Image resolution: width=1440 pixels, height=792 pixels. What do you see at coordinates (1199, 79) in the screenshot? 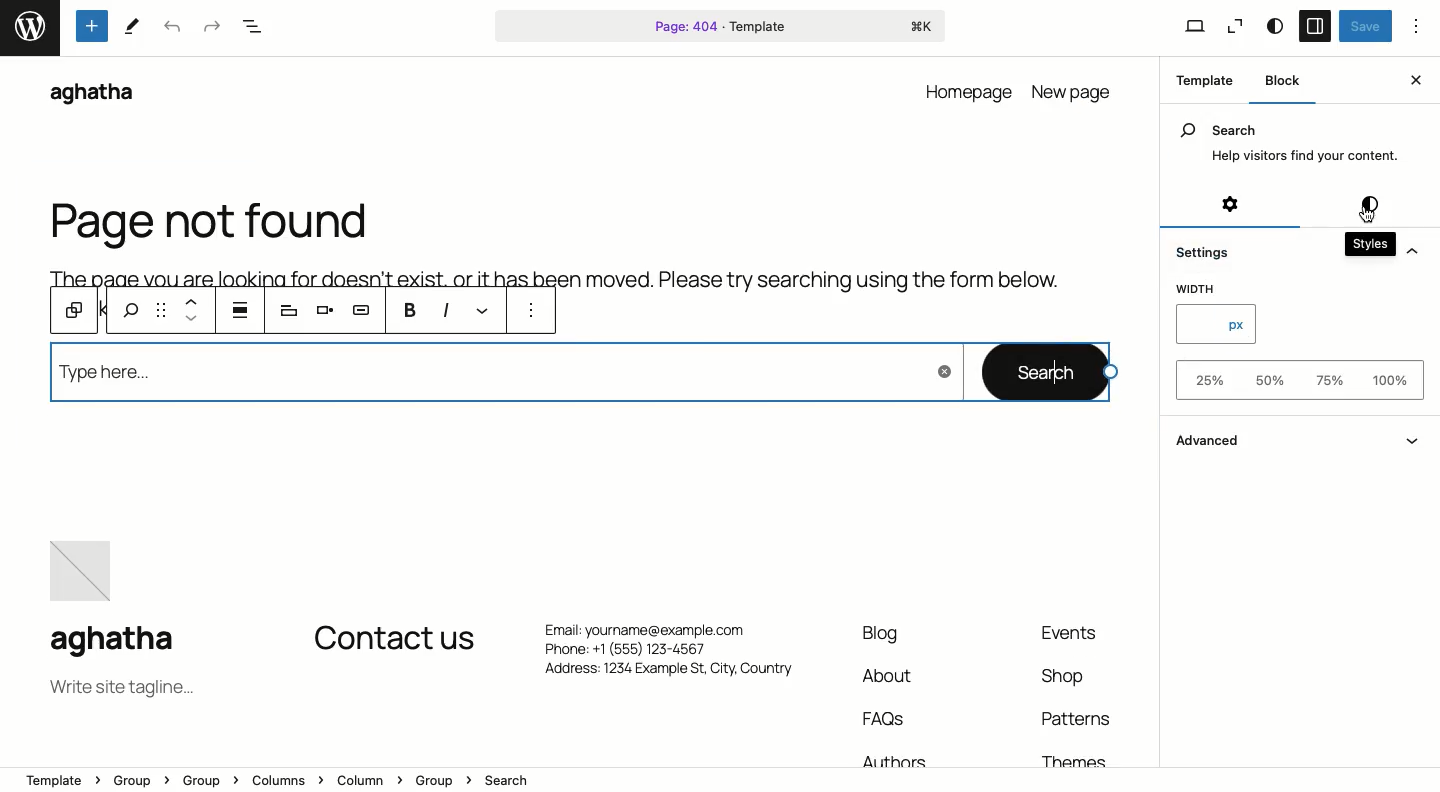
I see `Template` at bounding box center [1199, 79].